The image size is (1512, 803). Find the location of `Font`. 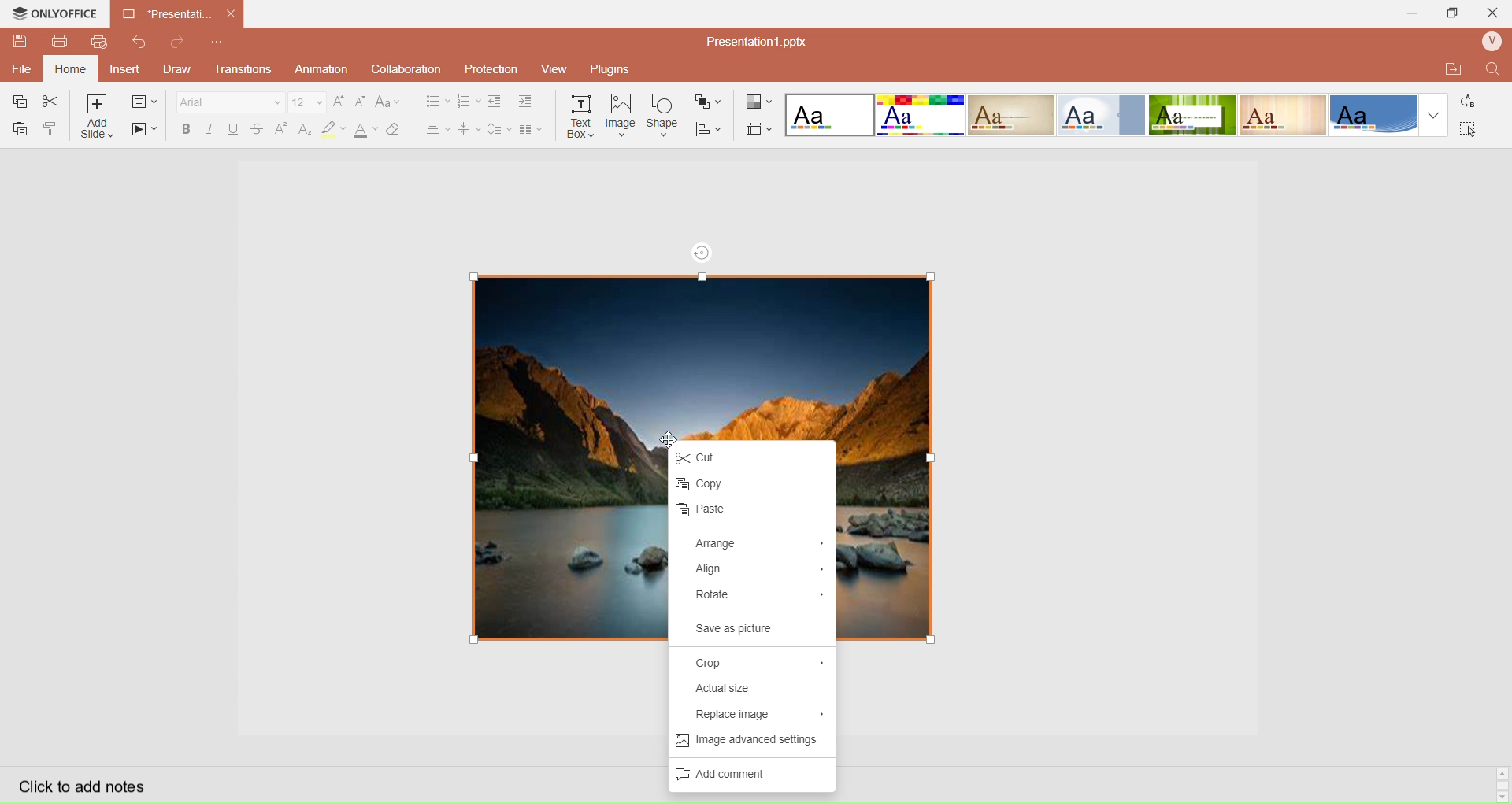

Font is located at coordinates (231, 102).